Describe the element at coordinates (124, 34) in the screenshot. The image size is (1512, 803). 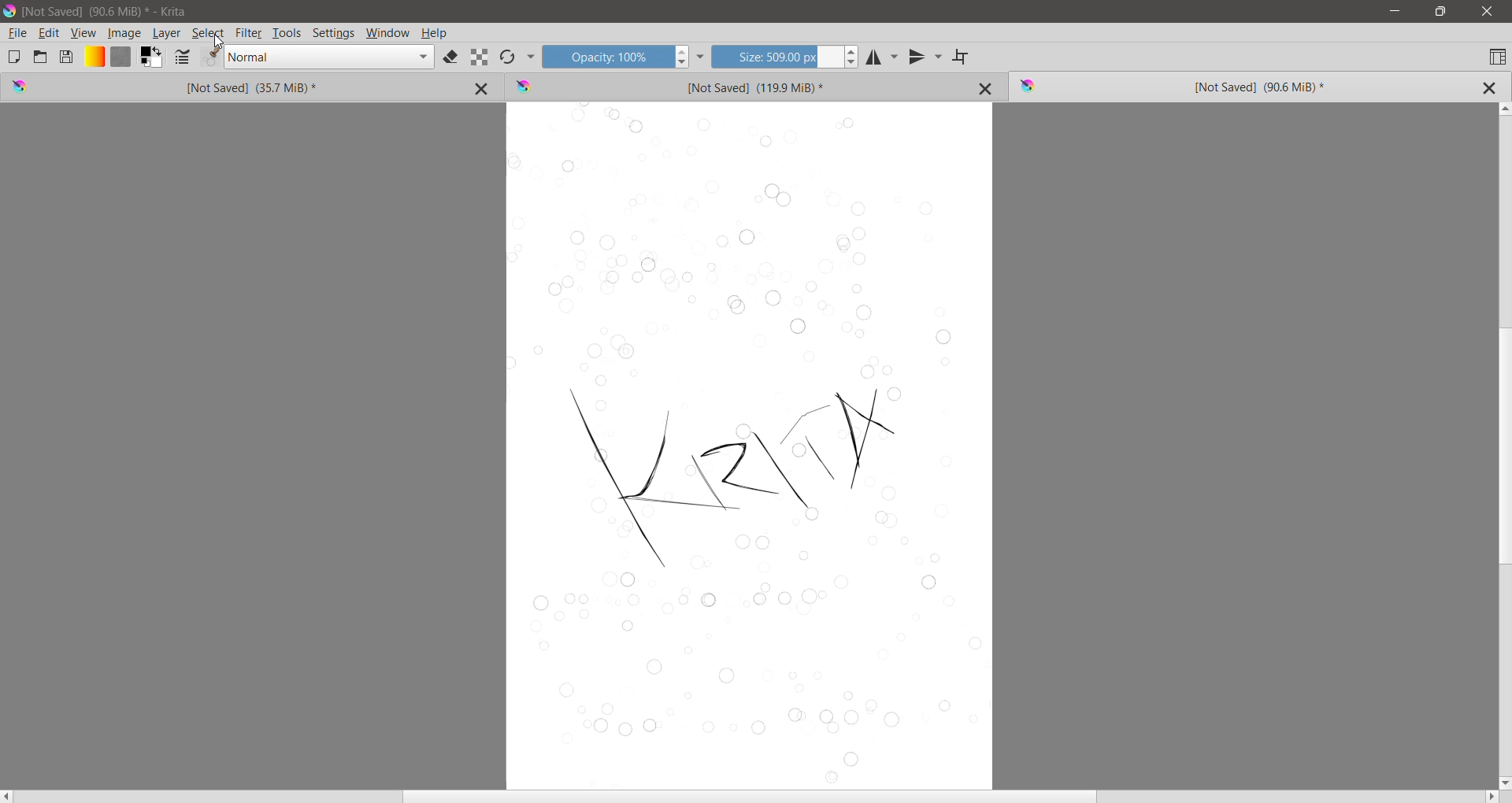
I see `Image` at that location.